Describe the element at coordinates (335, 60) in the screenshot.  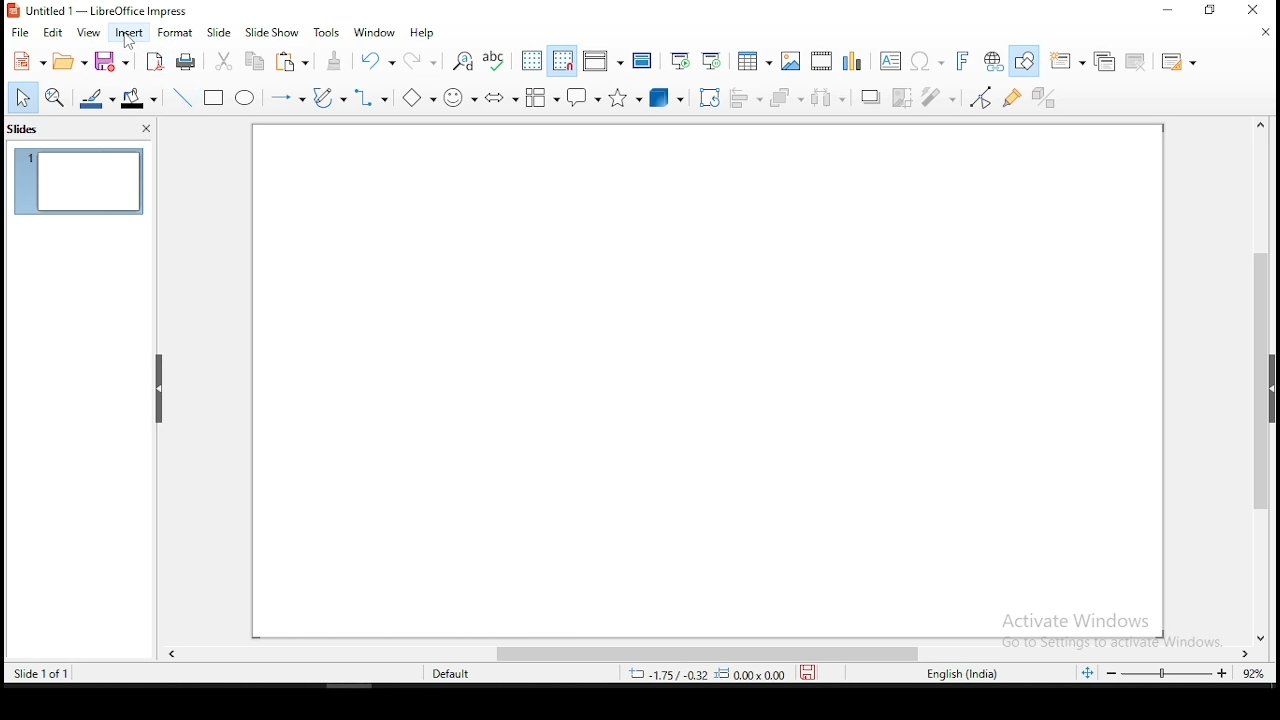
I see `clone formatting` at that location.